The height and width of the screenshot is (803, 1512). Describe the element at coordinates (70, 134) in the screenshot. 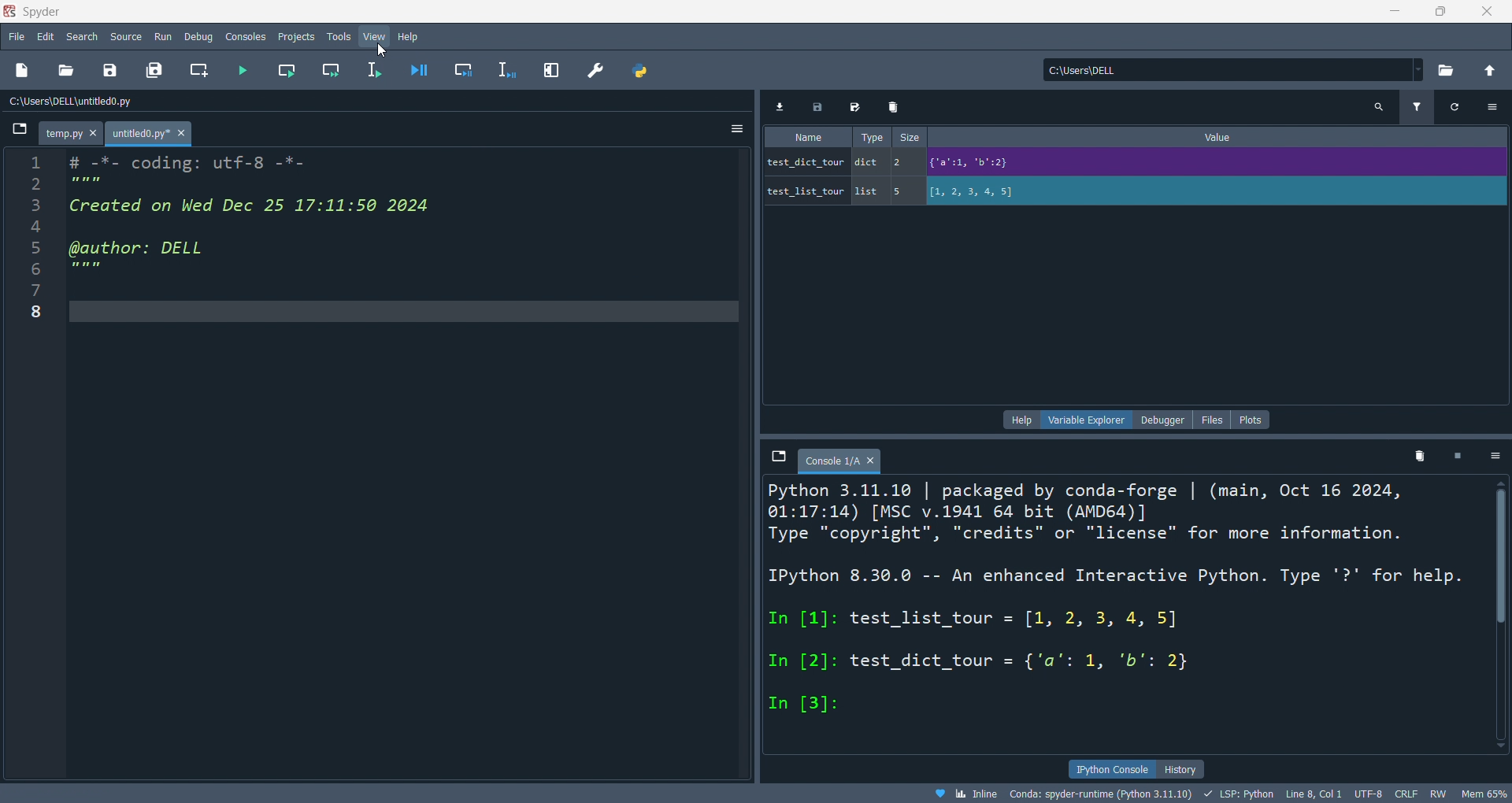

I see `tab - temp.py` at that location.